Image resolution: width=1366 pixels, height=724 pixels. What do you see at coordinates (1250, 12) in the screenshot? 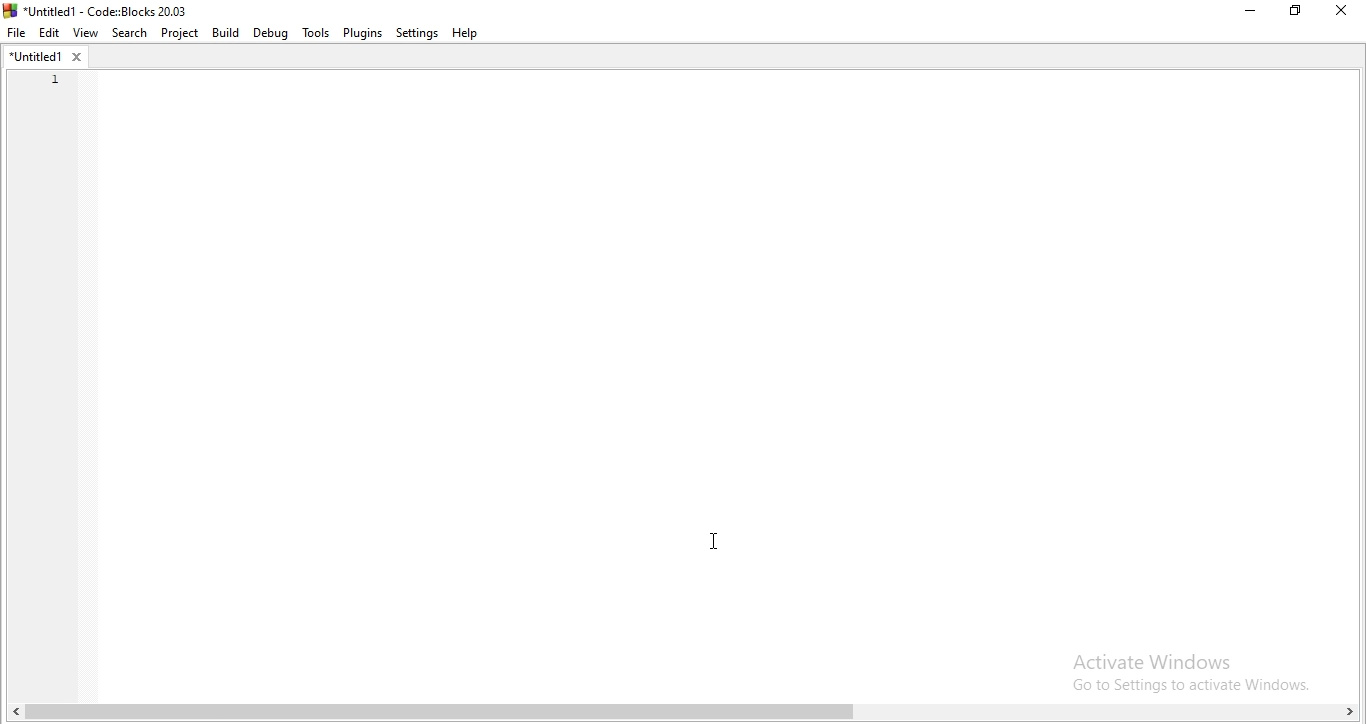
I see `Minimise` at bounding box center [1250, 12].